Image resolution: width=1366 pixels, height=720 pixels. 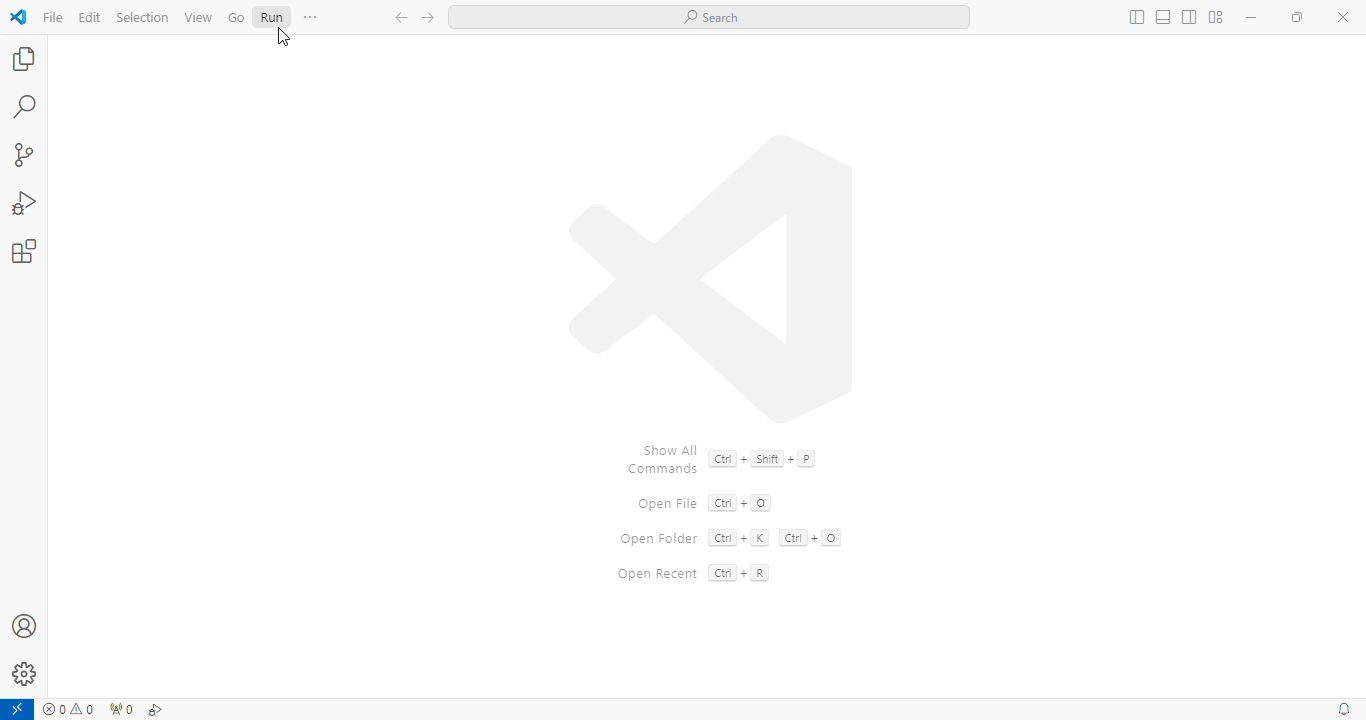 I want to click on search, so click(x=709, y=17).